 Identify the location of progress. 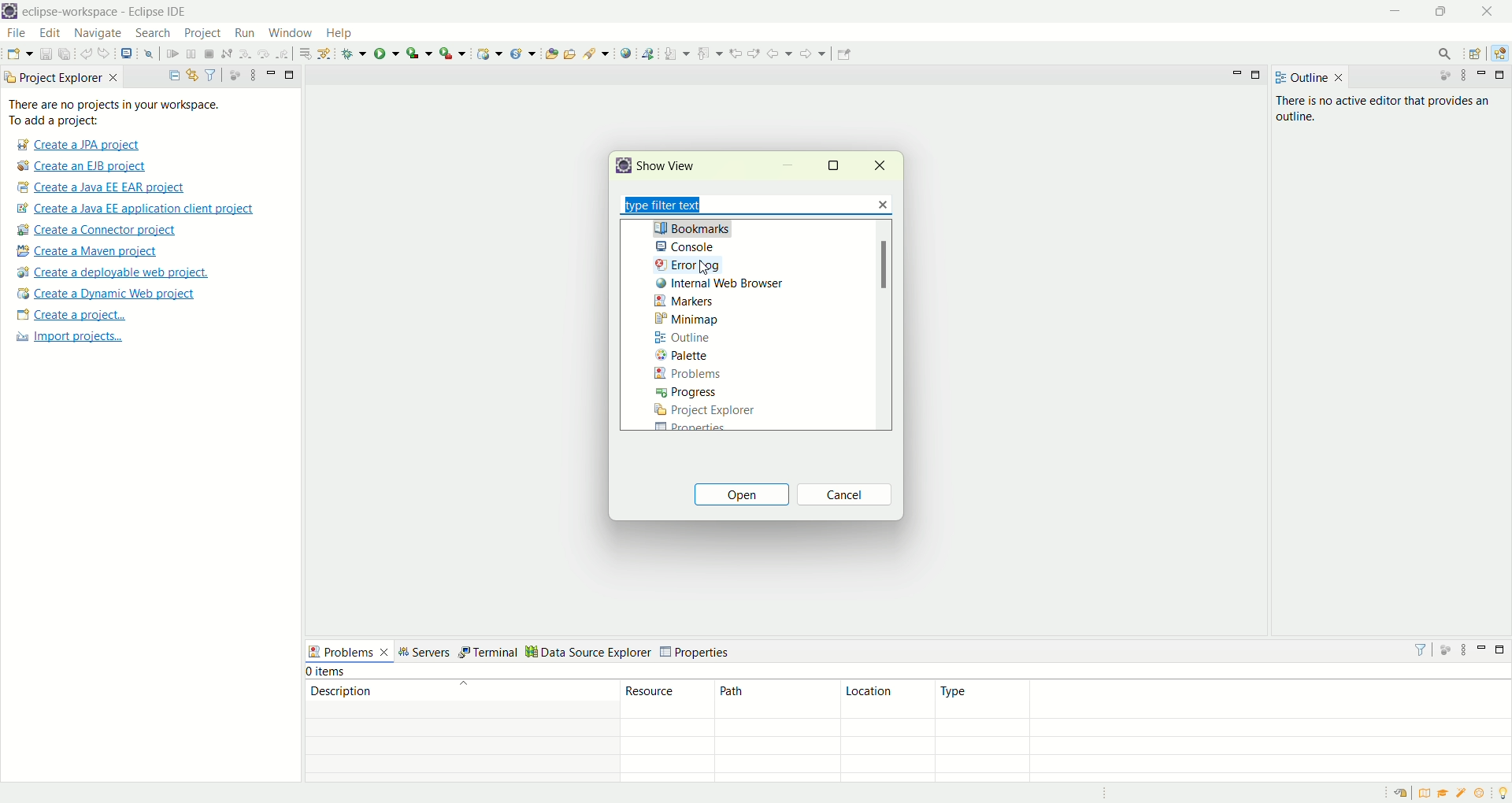
(691, 394).